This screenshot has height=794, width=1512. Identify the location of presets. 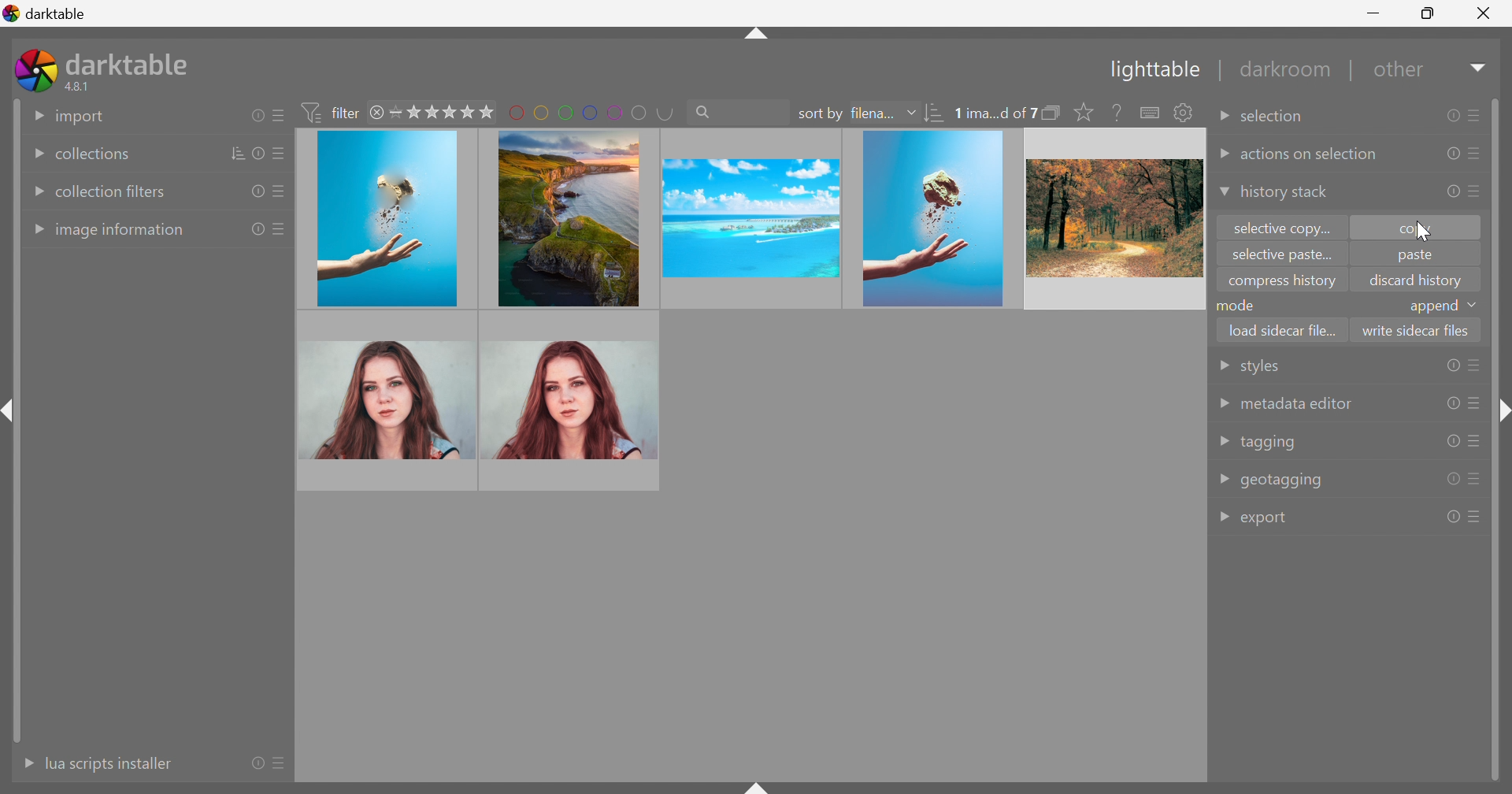
(276, 194).